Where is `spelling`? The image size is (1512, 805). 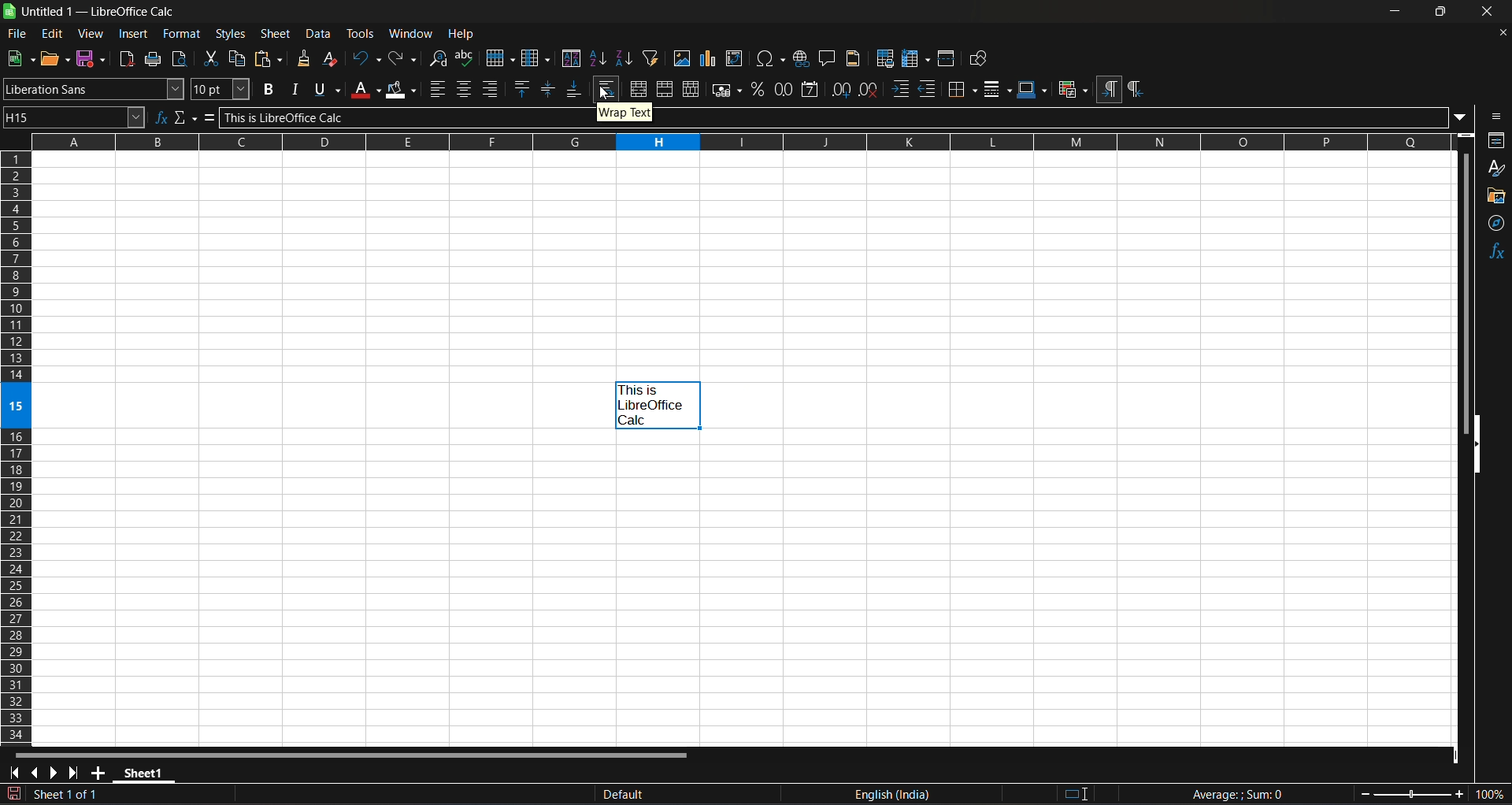
spelling is located at coordinates (465, 58).